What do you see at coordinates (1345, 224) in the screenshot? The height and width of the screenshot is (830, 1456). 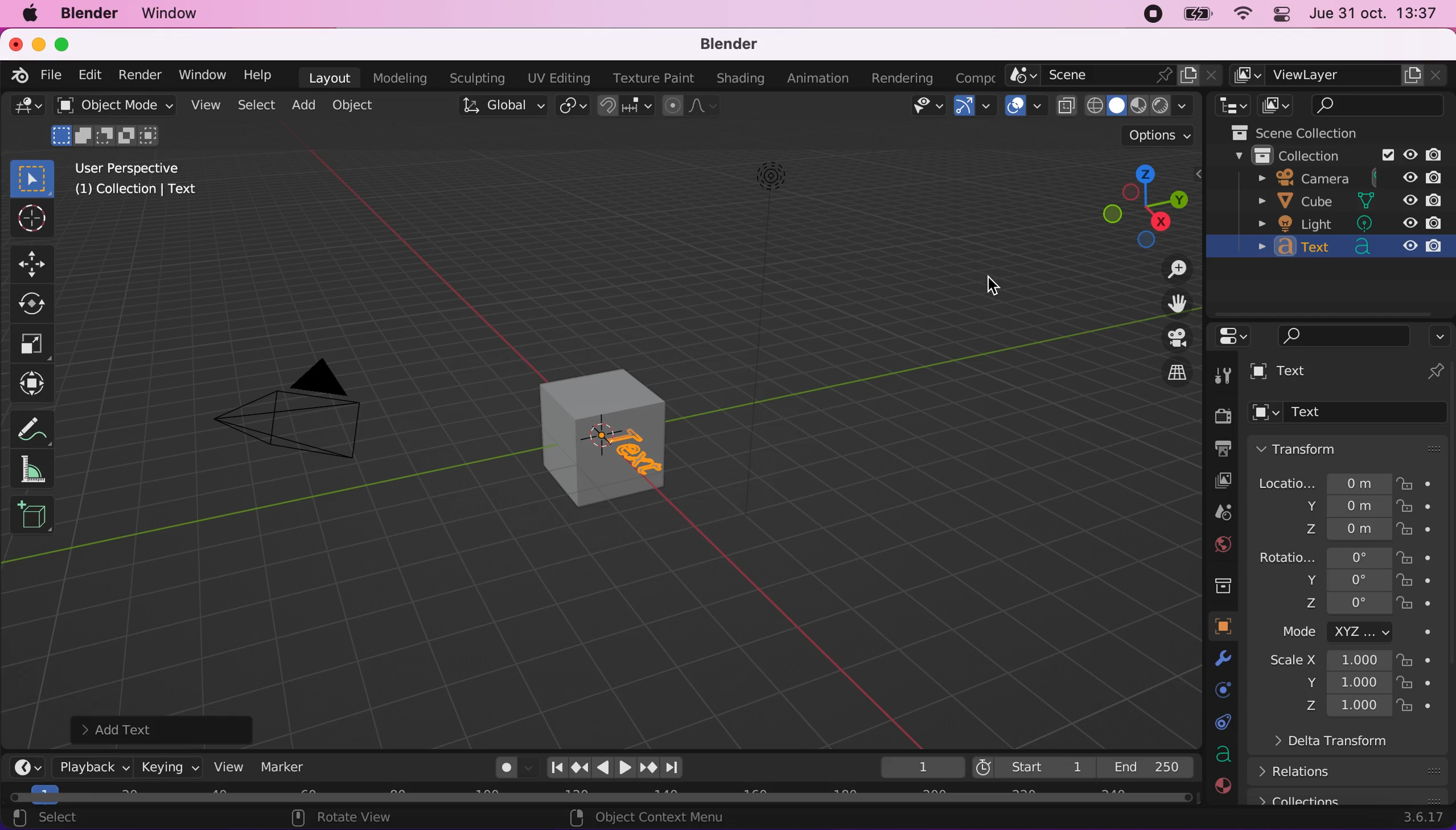 I see `light` at bounding box center [1345, 224].